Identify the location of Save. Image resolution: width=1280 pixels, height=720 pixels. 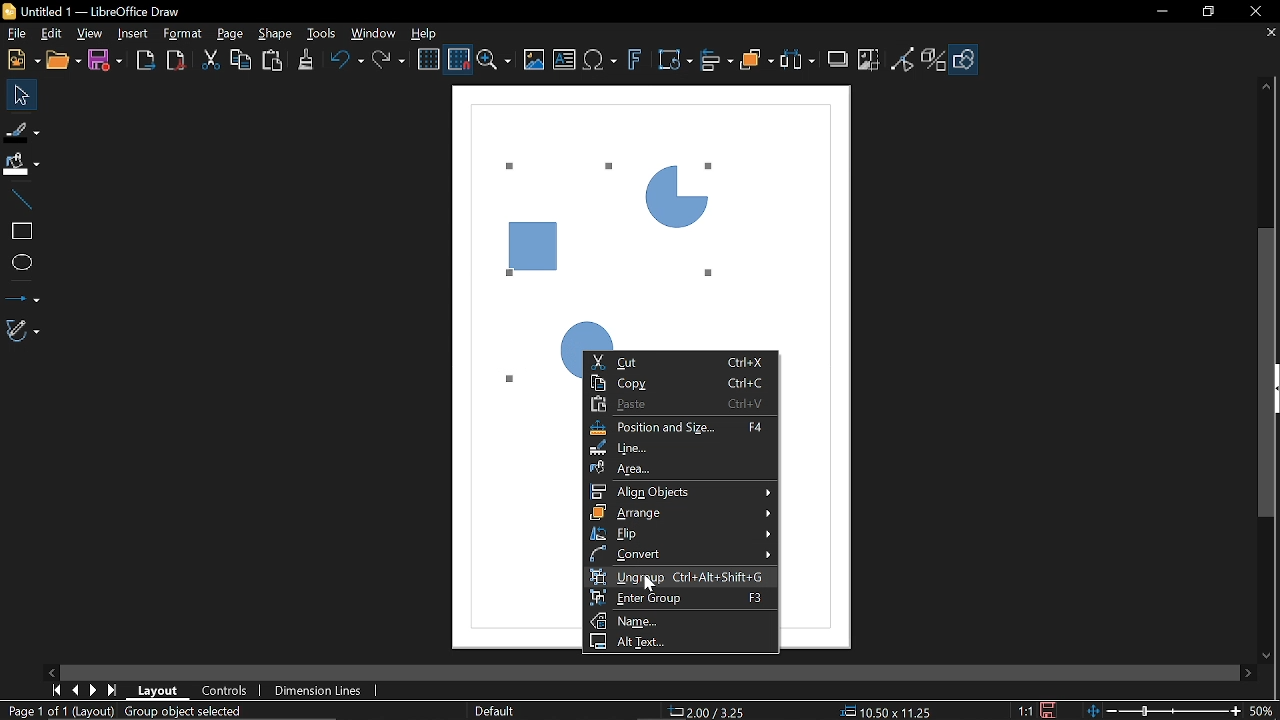
(1047, 710).